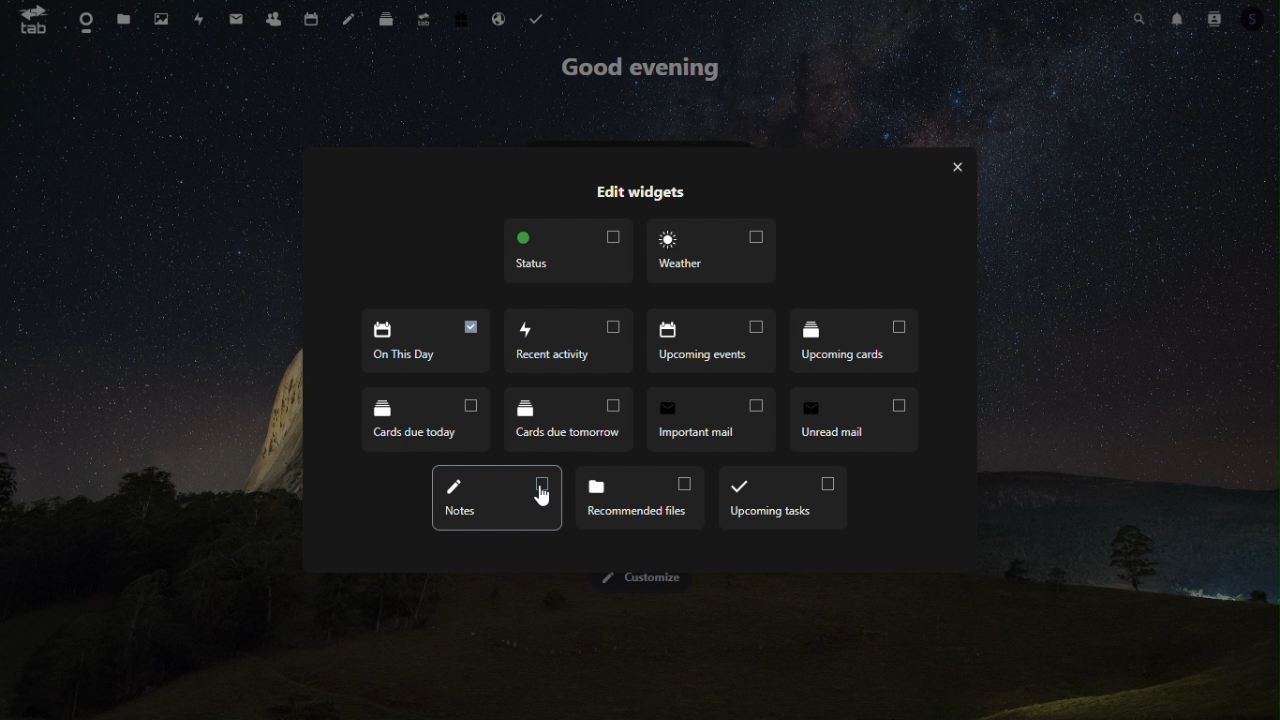 The height and width of the screenshot is (720, 1280). Describe the element at coordinates (463, 18) in the screenshot. I see `free trial` at that location.